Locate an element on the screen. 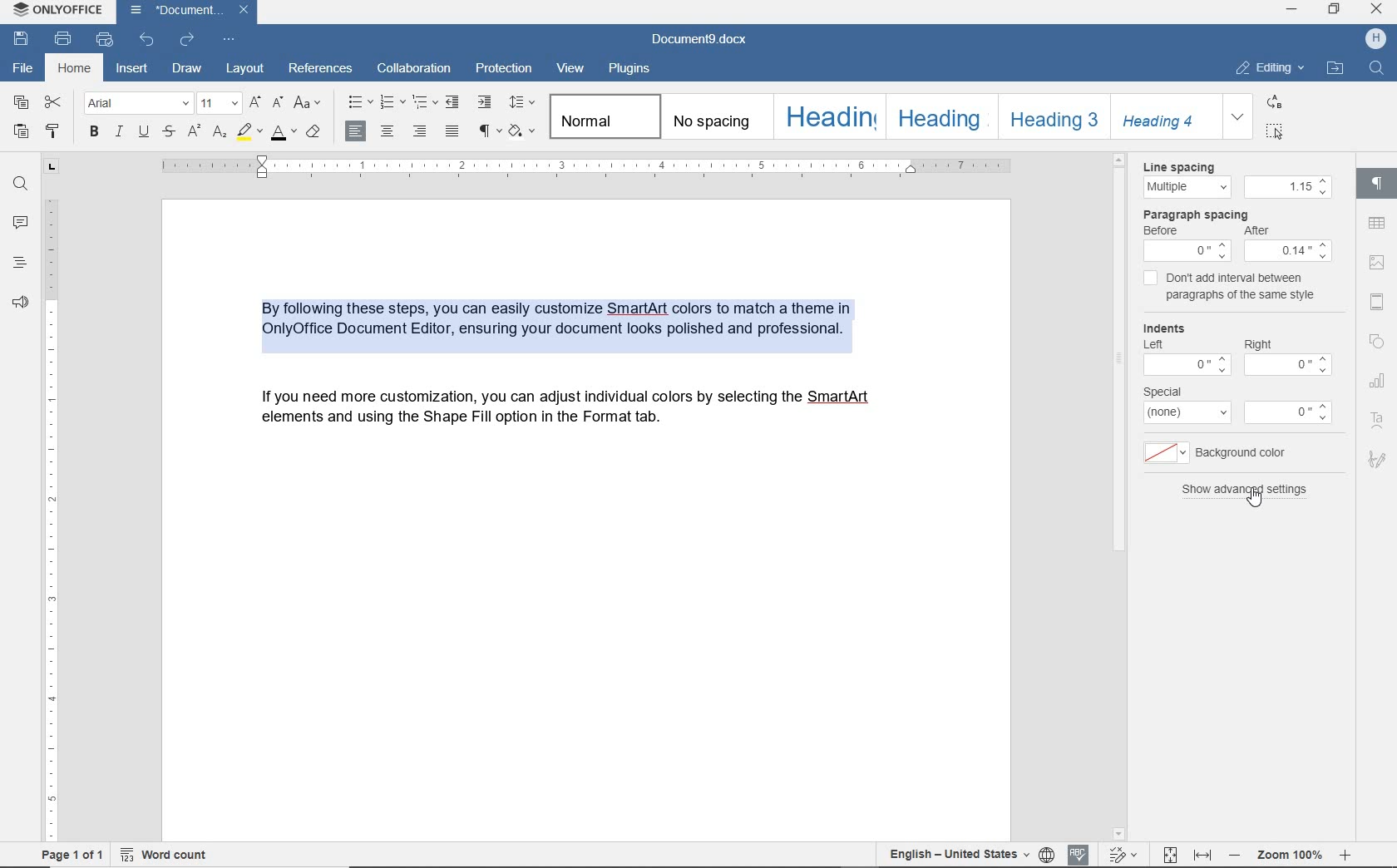 Image resolution: width=1397 pixels, height=868 pixels. 0.14" is located at coordinates (1291, 253).